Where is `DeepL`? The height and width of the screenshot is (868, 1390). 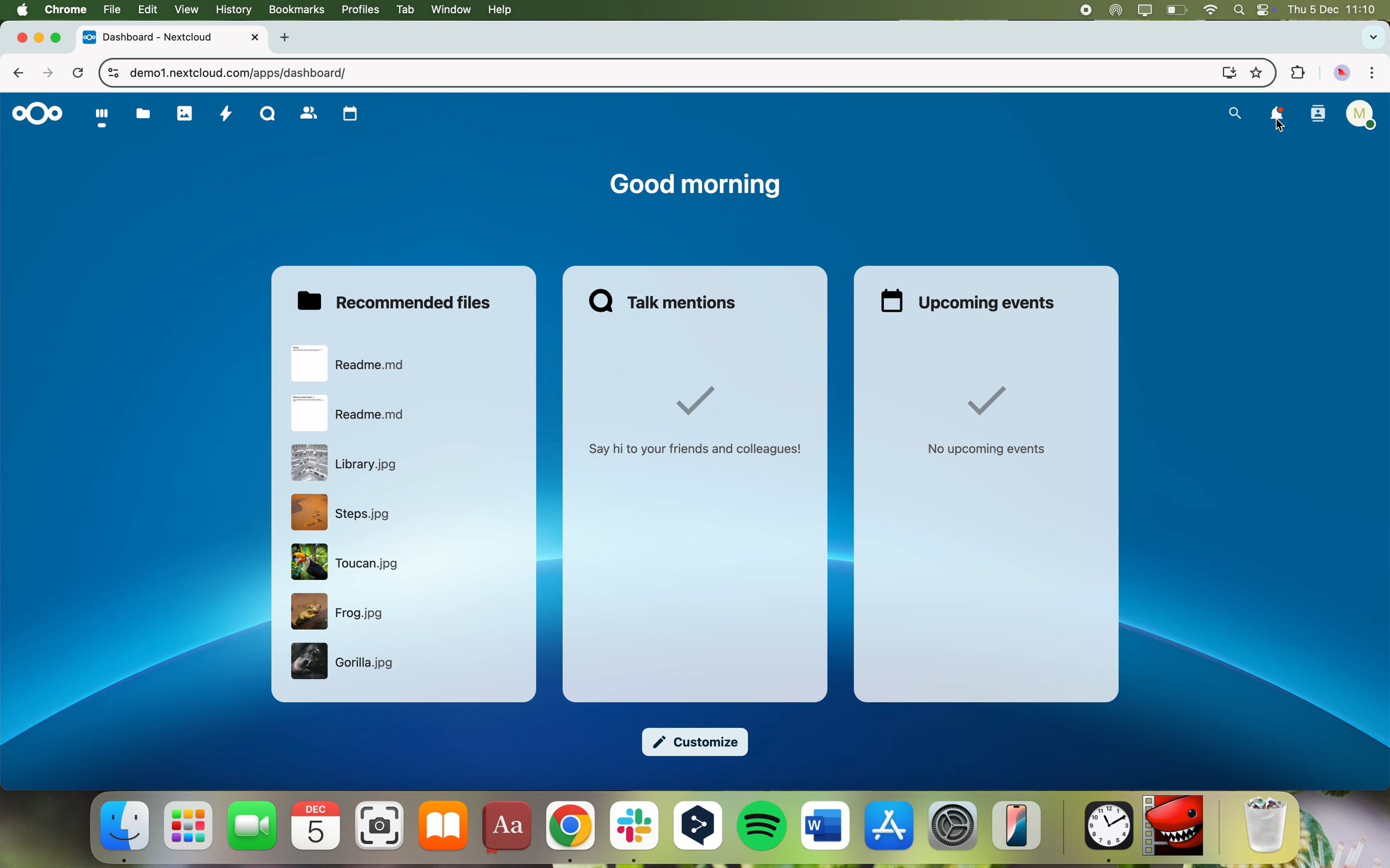 DeepL is located at coordinates (699, 832).